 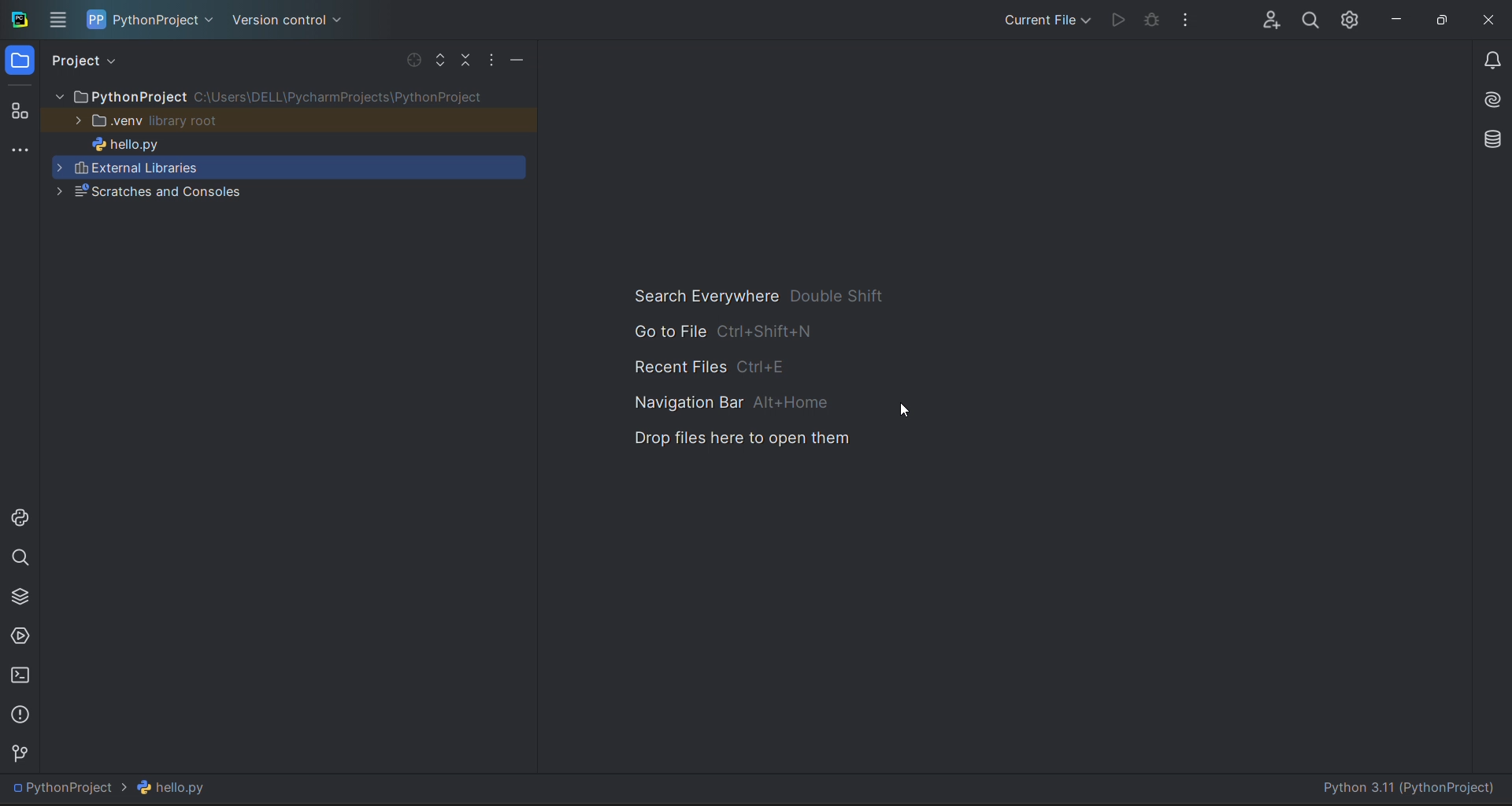 What do you see at coordinates (702, 363) in the screenshot?
I see `Recent Files Ctri+E` at bounding box center [702, 363].